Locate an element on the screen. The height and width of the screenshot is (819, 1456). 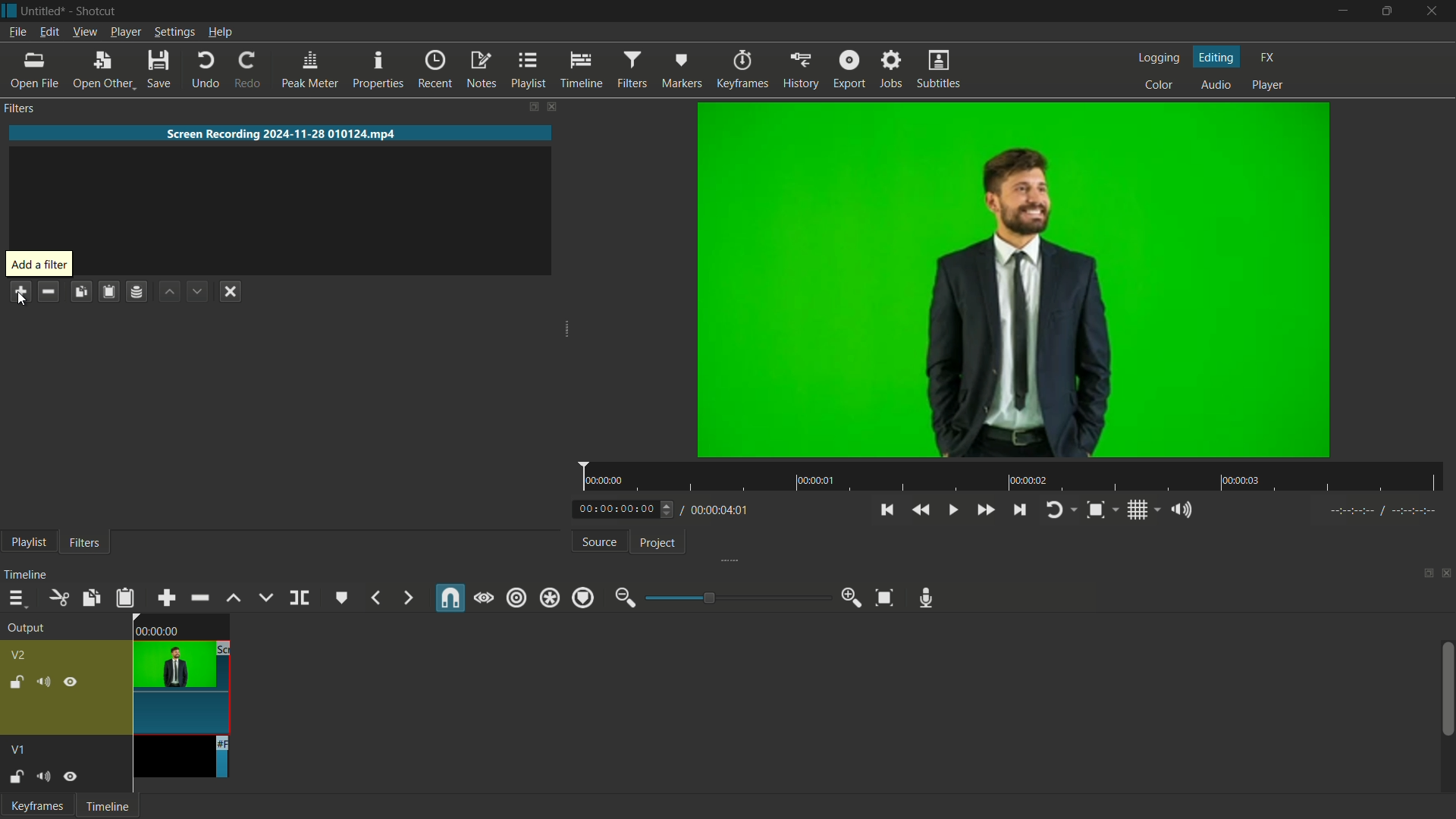
quickly play backward is located at coordinates (921, 511).